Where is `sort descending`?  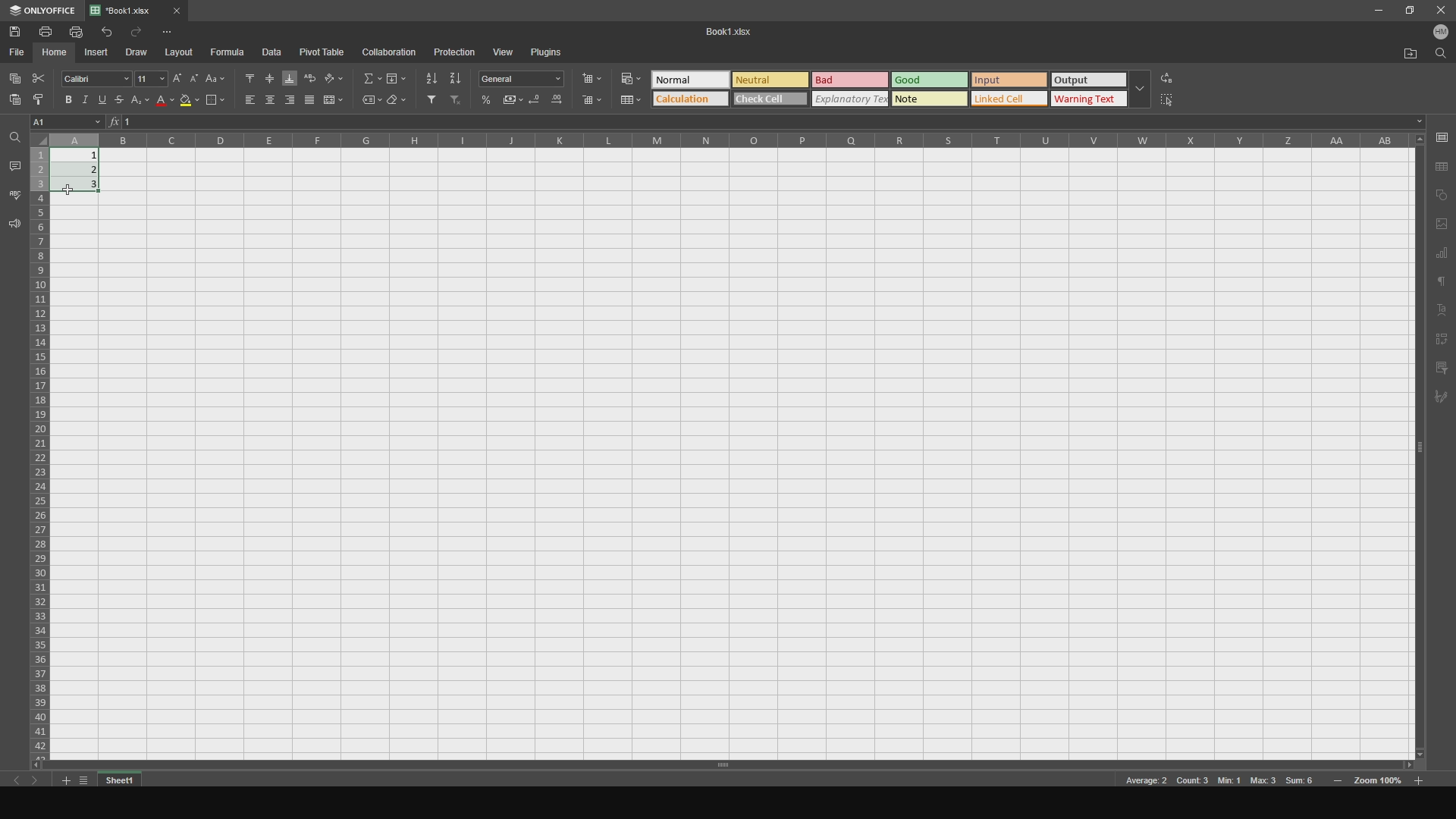
sort descending is located at coordinates (456, 77).